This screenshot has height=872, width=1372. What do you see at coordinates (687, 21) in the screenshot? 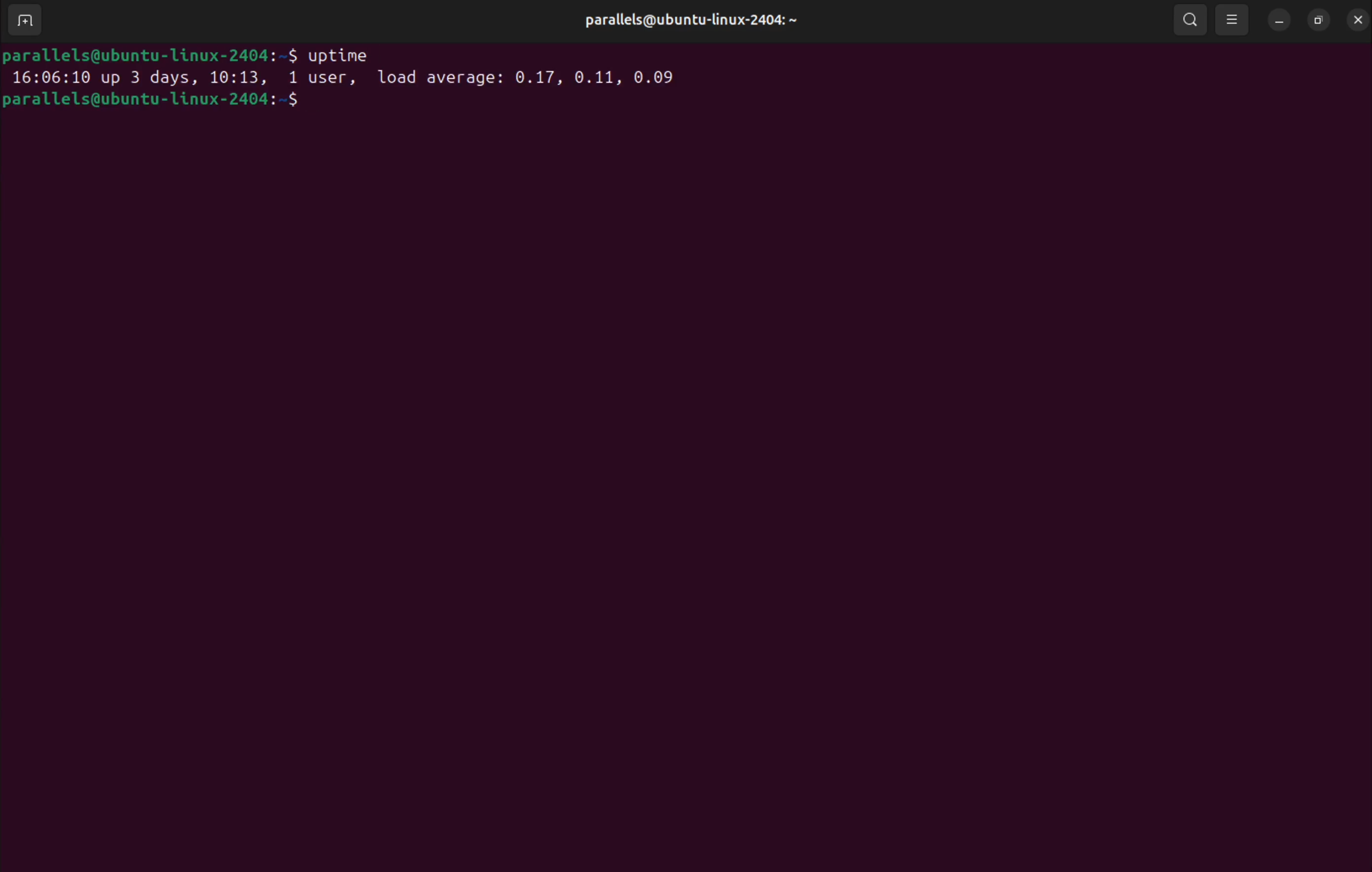
I see `parallels ubuntu linux profile` at bounding box center [687, 21].